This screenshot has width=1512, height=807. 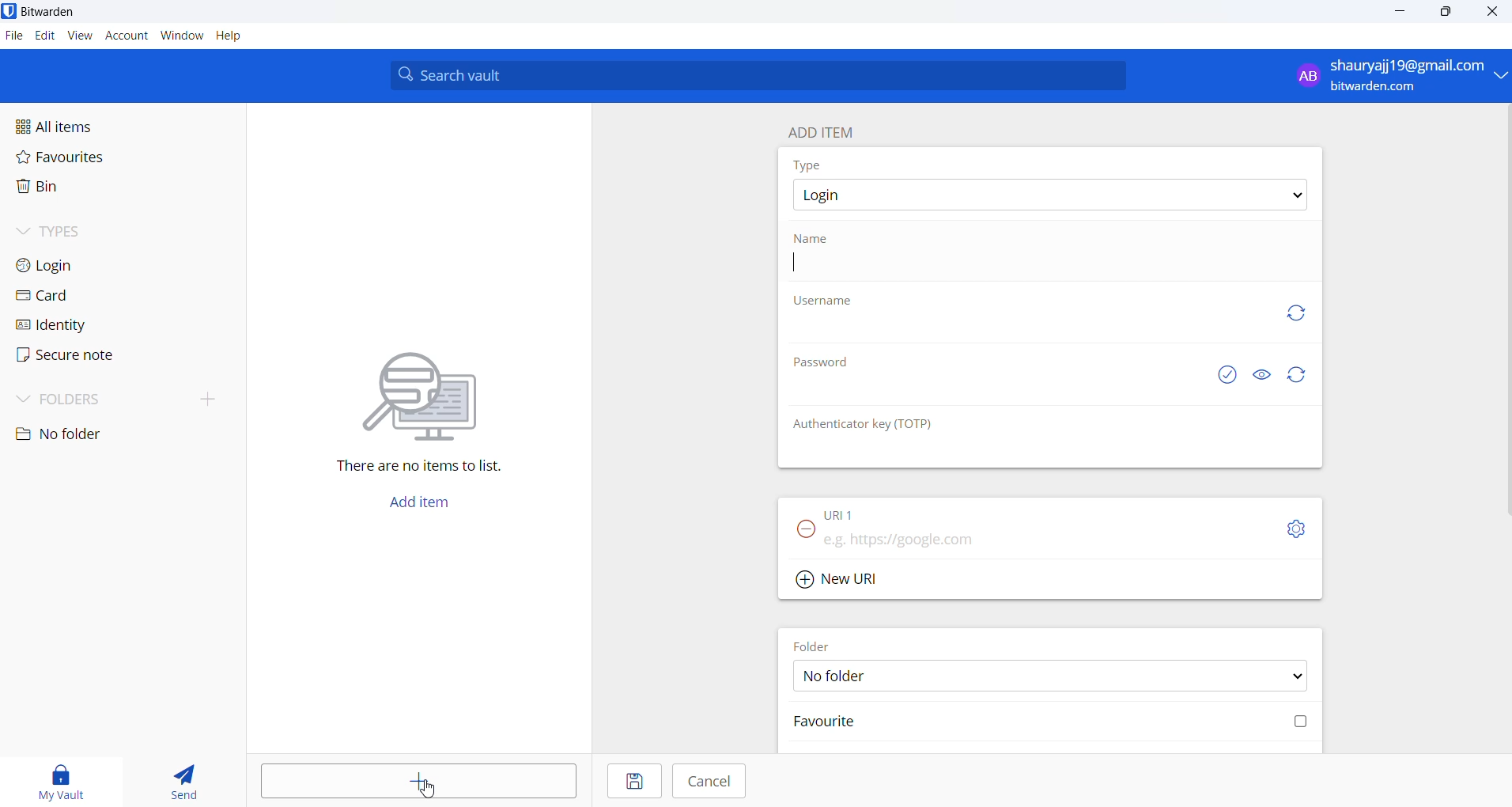 What do you see at coordinates (827, 131) in the screenshot?
I see `add item heading` at bounding box center [827, 131].